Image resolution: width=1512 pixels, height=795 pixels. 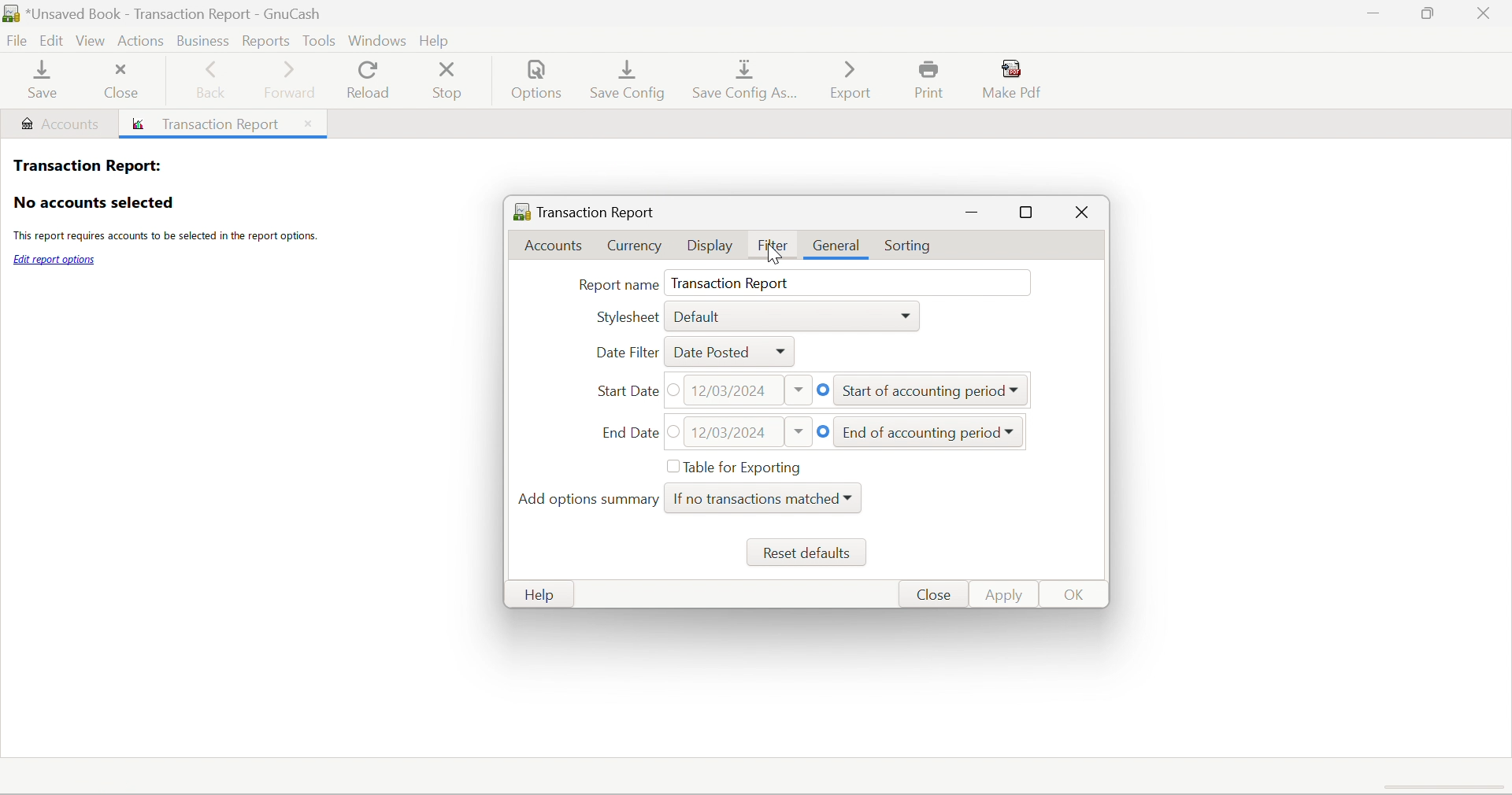 What do you see at coordinates (450, 81) in the screenshot?
I see `Stop` at bounding box center [450, 81].